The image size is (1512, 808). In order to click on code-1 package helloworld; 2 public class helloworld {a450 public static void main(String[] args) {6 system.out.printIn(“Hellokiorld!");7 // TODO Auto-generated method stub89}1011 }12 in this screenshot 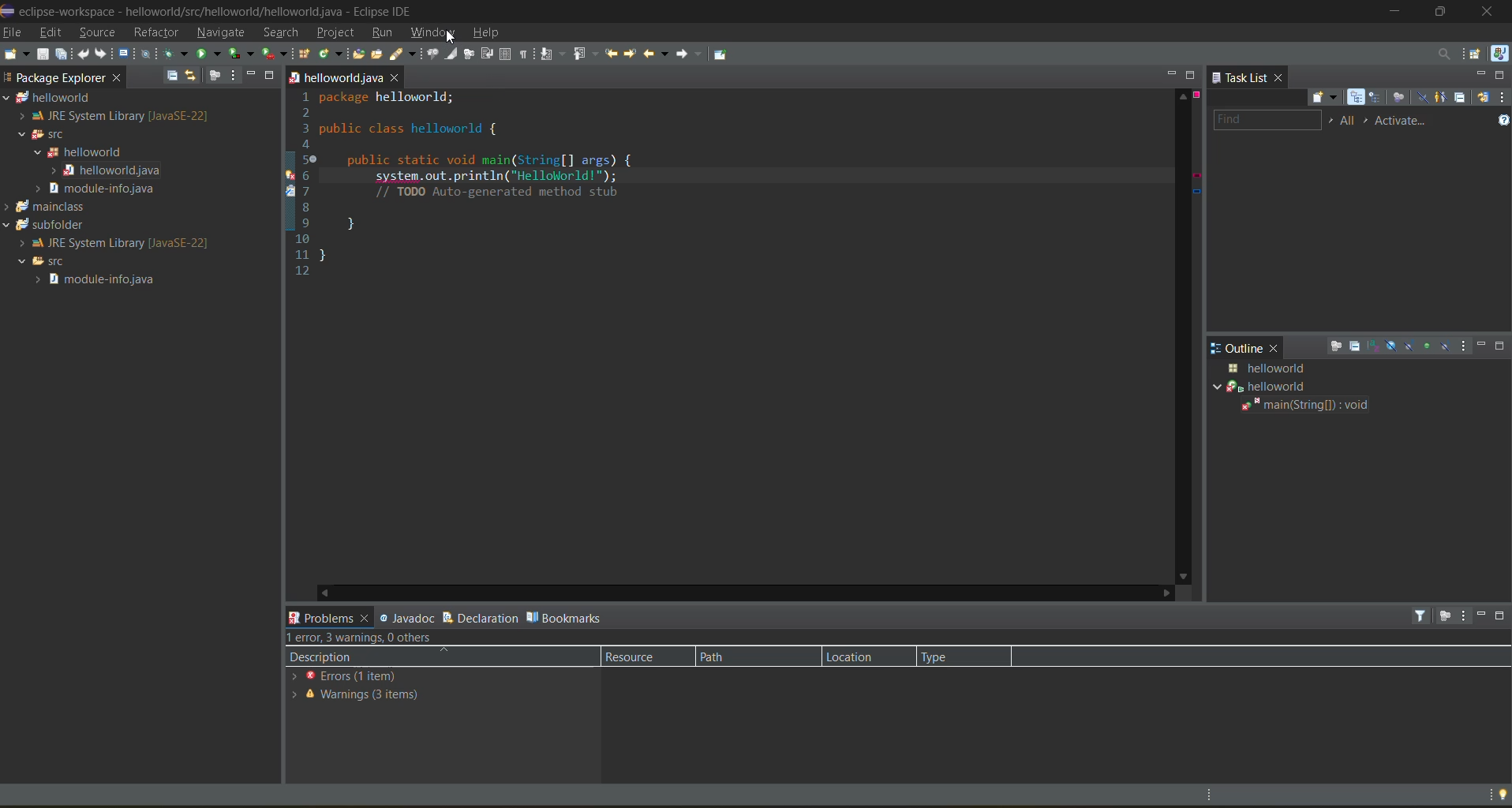, I will do `click(595, 195)`.